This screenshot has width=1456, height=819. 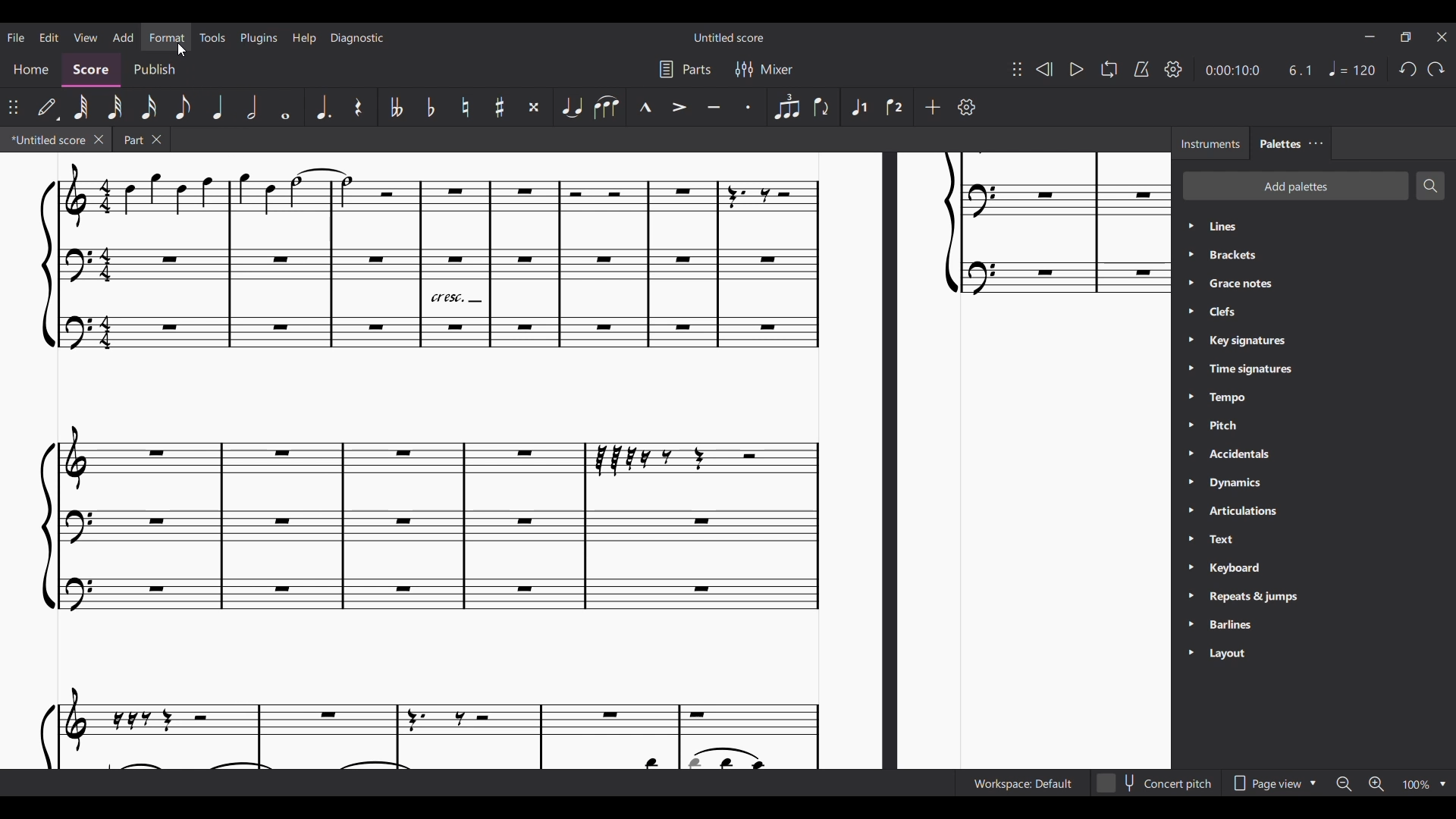 What do you see at coordinates (1279, 143) in the screenshot?
I see `Palettes, current tab` at bounding box center [1279, 143].